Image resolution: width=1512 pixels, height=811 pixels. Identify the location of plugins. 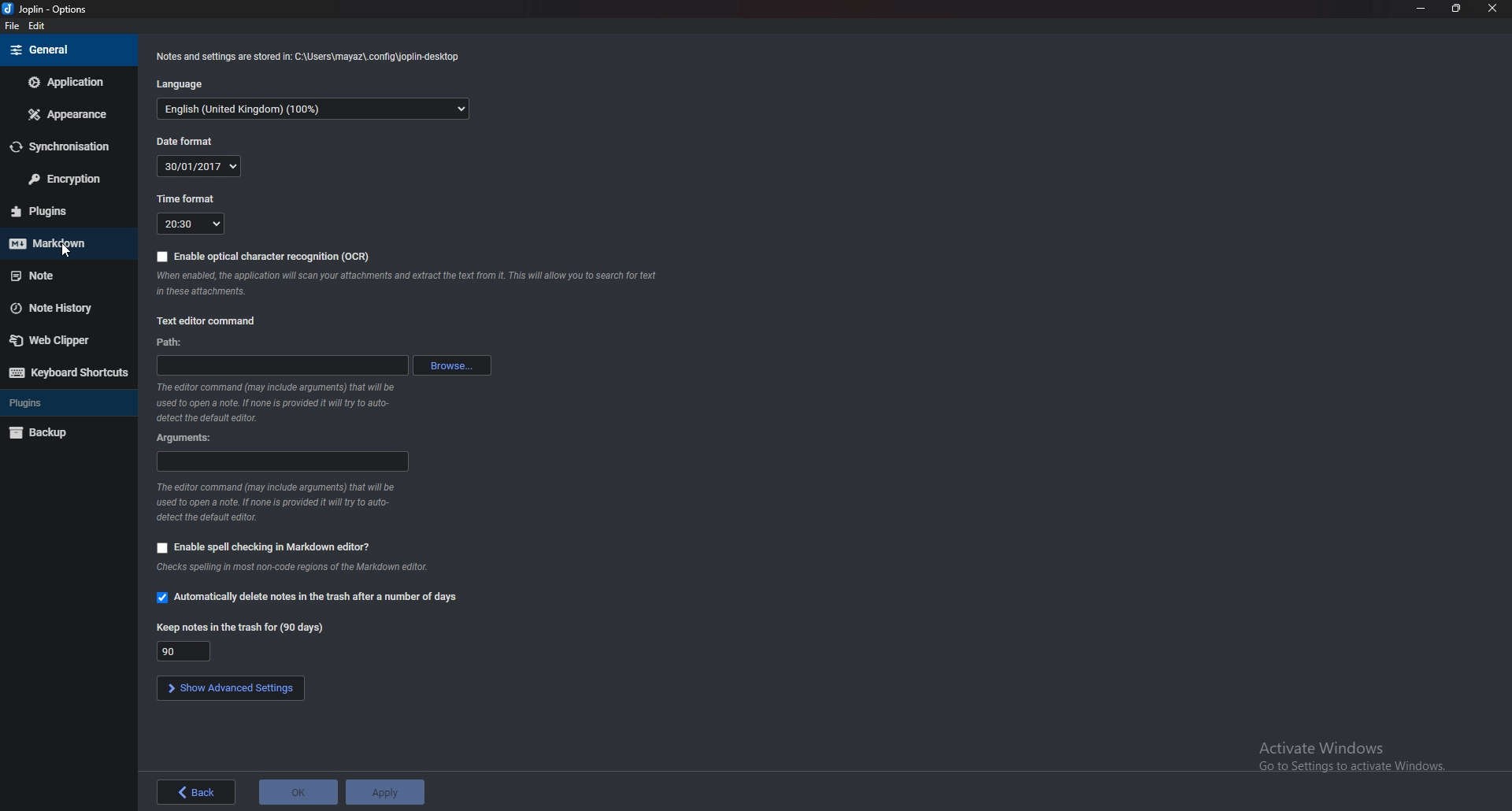
(67, 211).